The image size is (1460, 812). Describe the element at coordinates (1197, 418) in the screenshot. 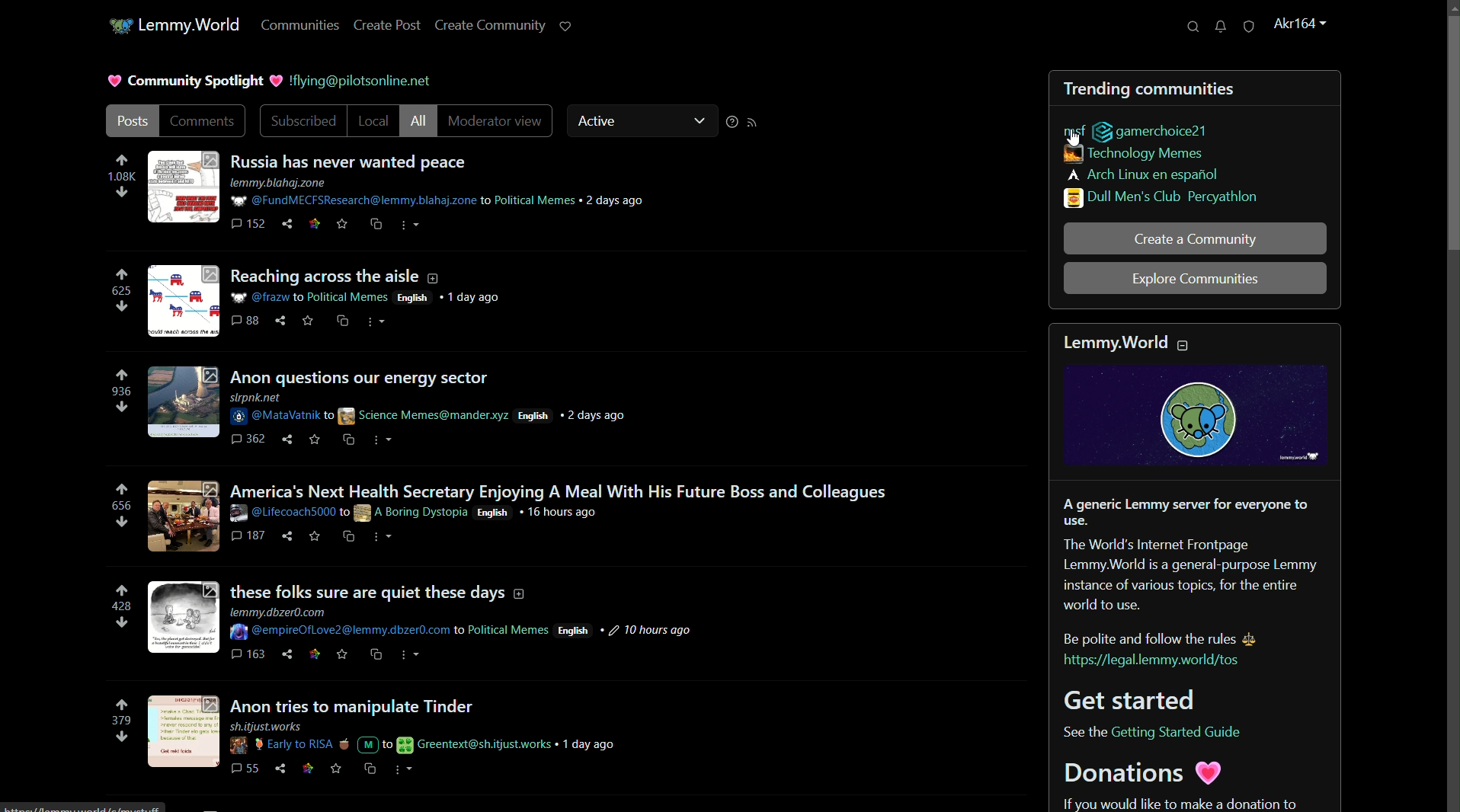

I see `image` at that location.